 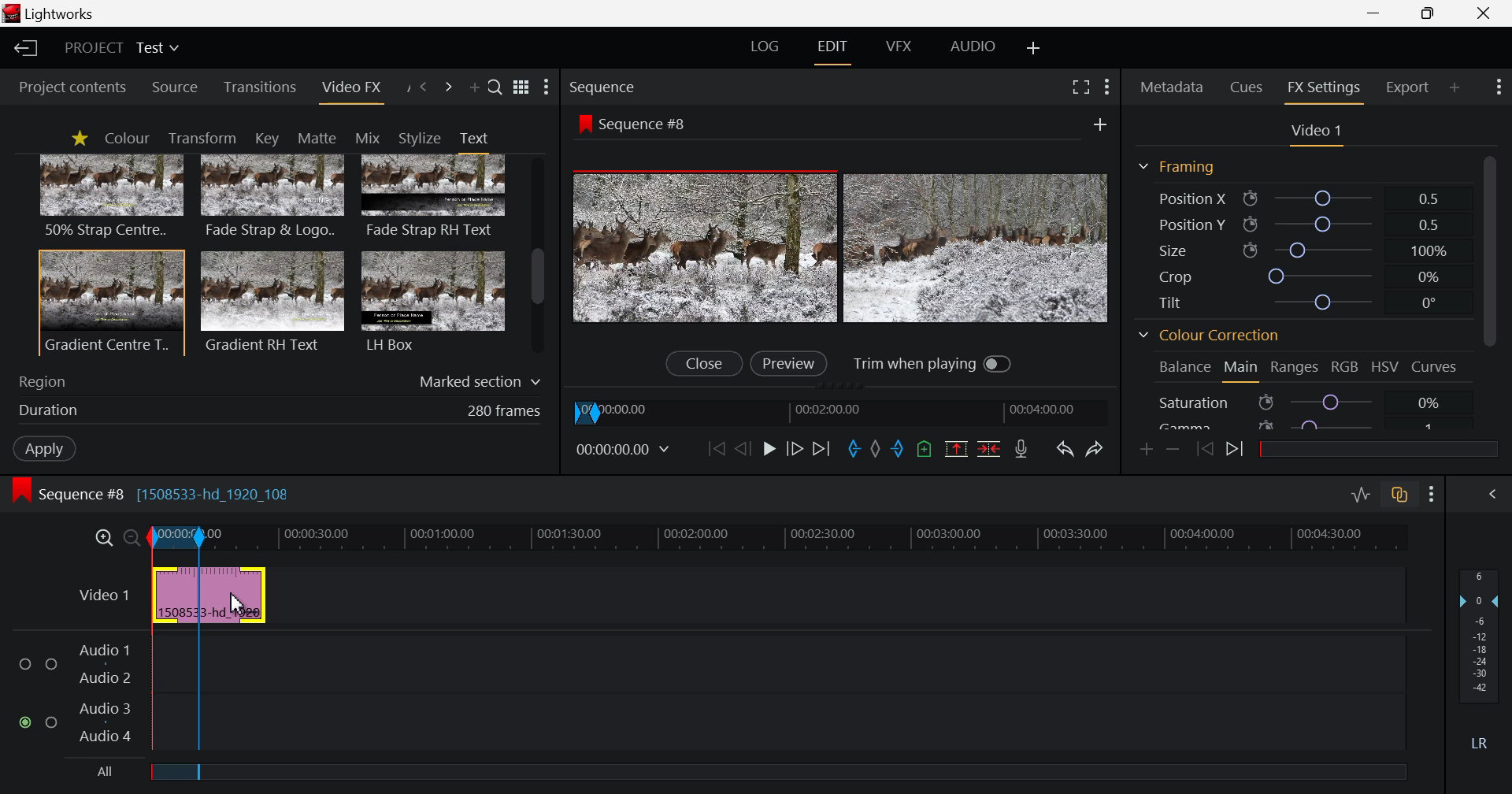 What do you see at coordinates (269, 301) in the screenshot?
I see `Gradient RH Text` at bounding box center [269, 301].